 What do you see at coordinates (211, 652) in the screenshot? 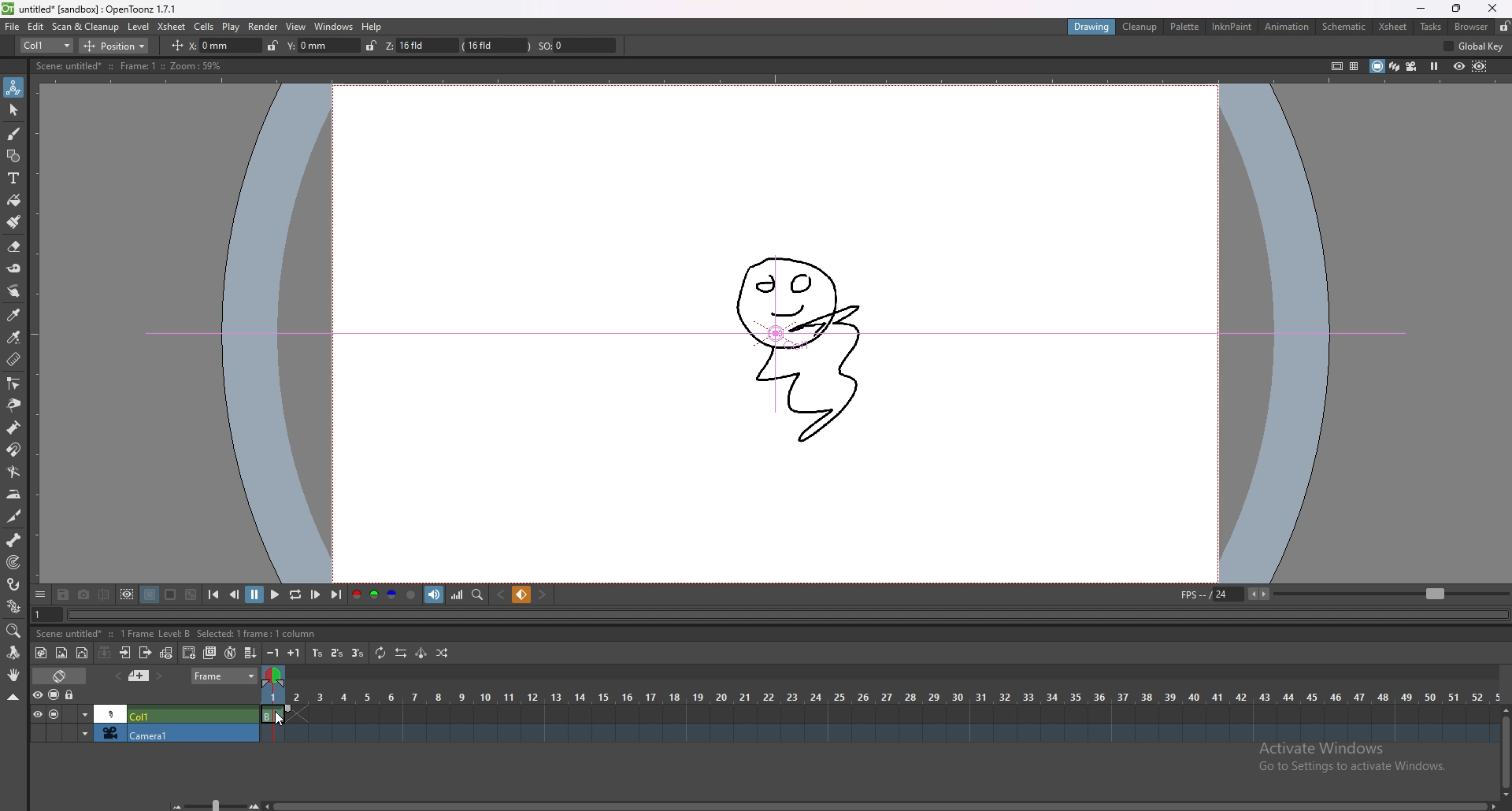
I see `duplicate drawing` at bounding box center [211, 652].